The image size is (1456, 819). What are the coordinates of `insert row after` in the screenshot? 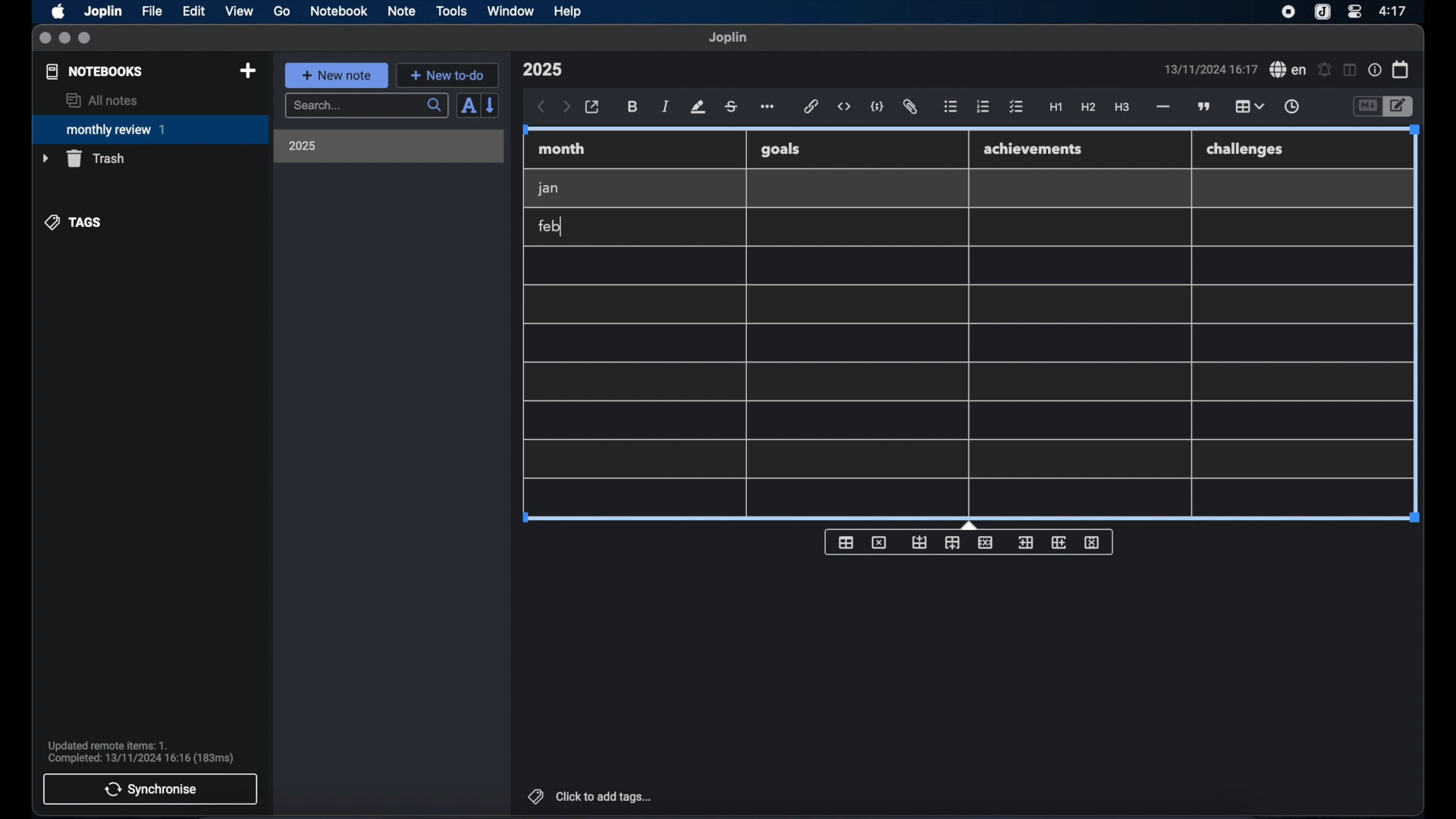 It's located at (952, 543).